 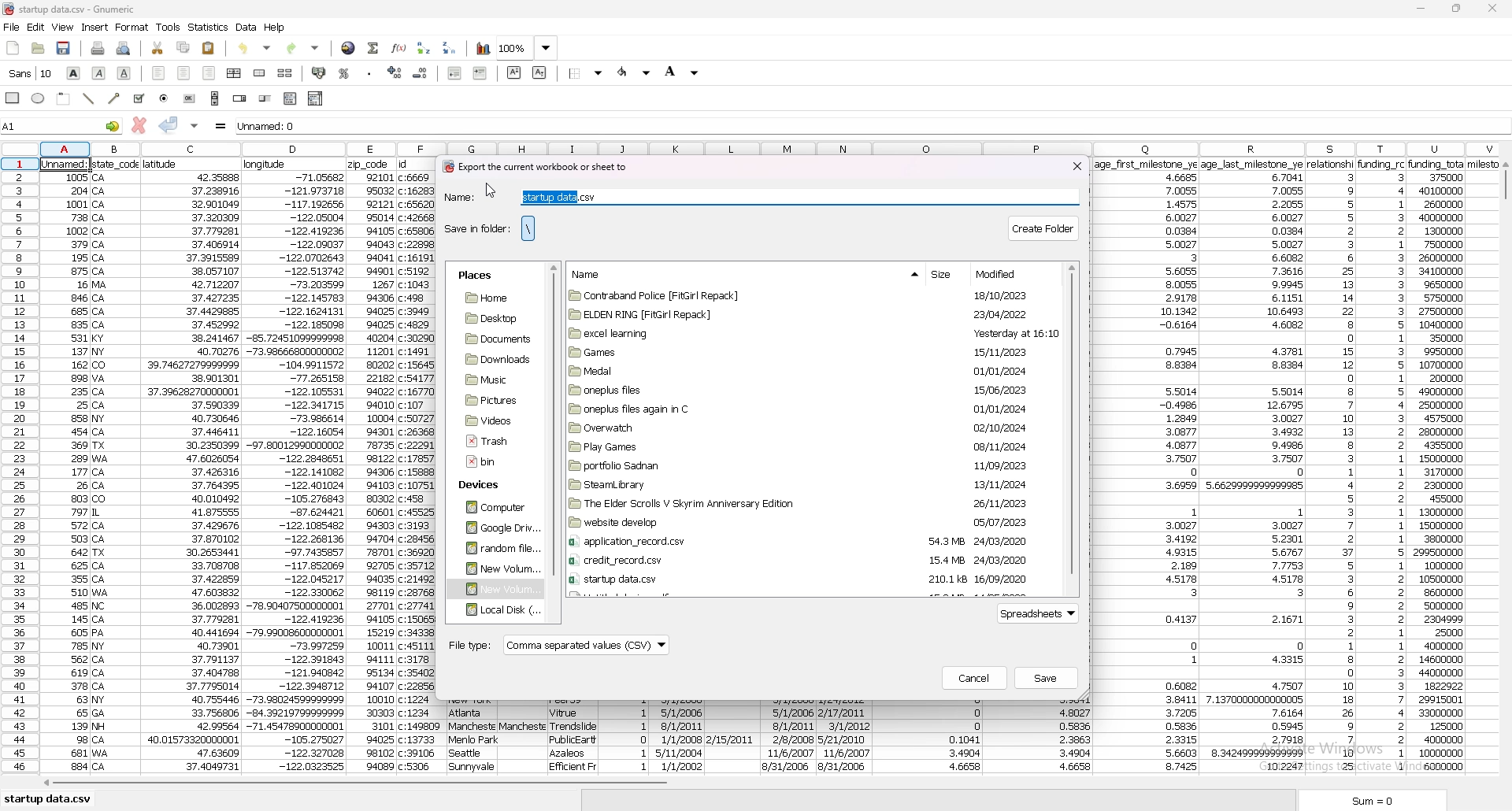 I want to click on places, so click(x=475, y=276).